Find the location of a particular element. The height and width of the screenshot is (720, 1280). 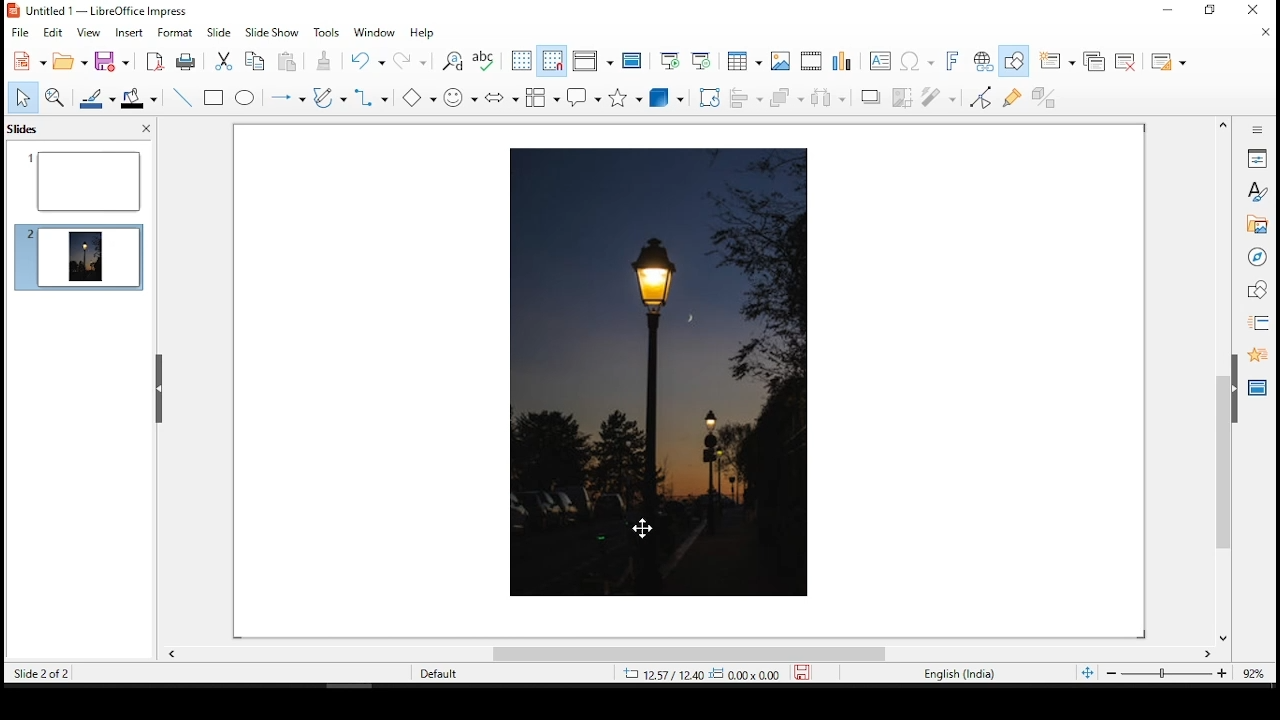

tools is located at coordinates (331, 36).